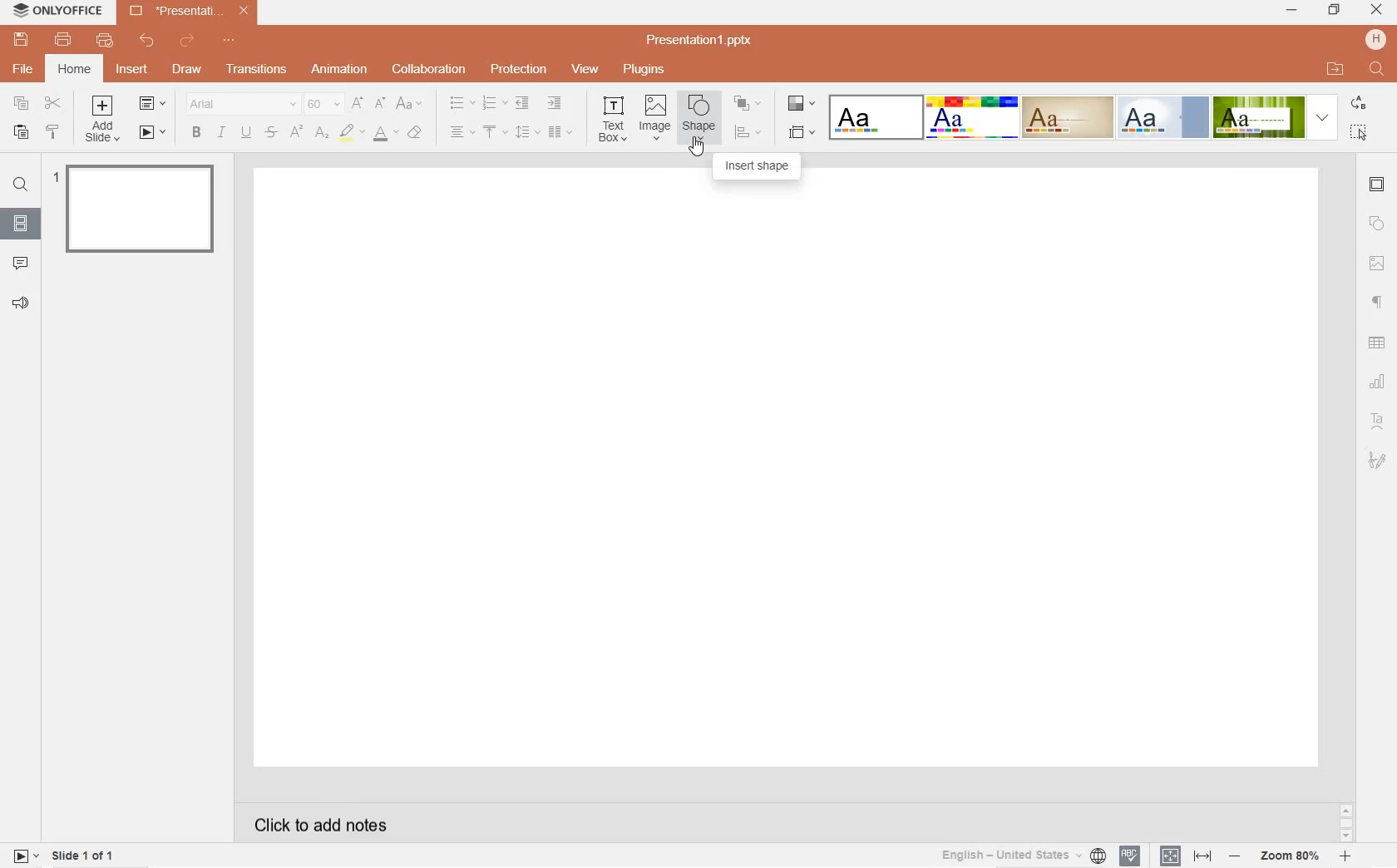 This screenshot has height=868, width=1397. What do you see at coordinates (21, 40) in the screenshot?
I see `save` at bounding box center [21, 40].